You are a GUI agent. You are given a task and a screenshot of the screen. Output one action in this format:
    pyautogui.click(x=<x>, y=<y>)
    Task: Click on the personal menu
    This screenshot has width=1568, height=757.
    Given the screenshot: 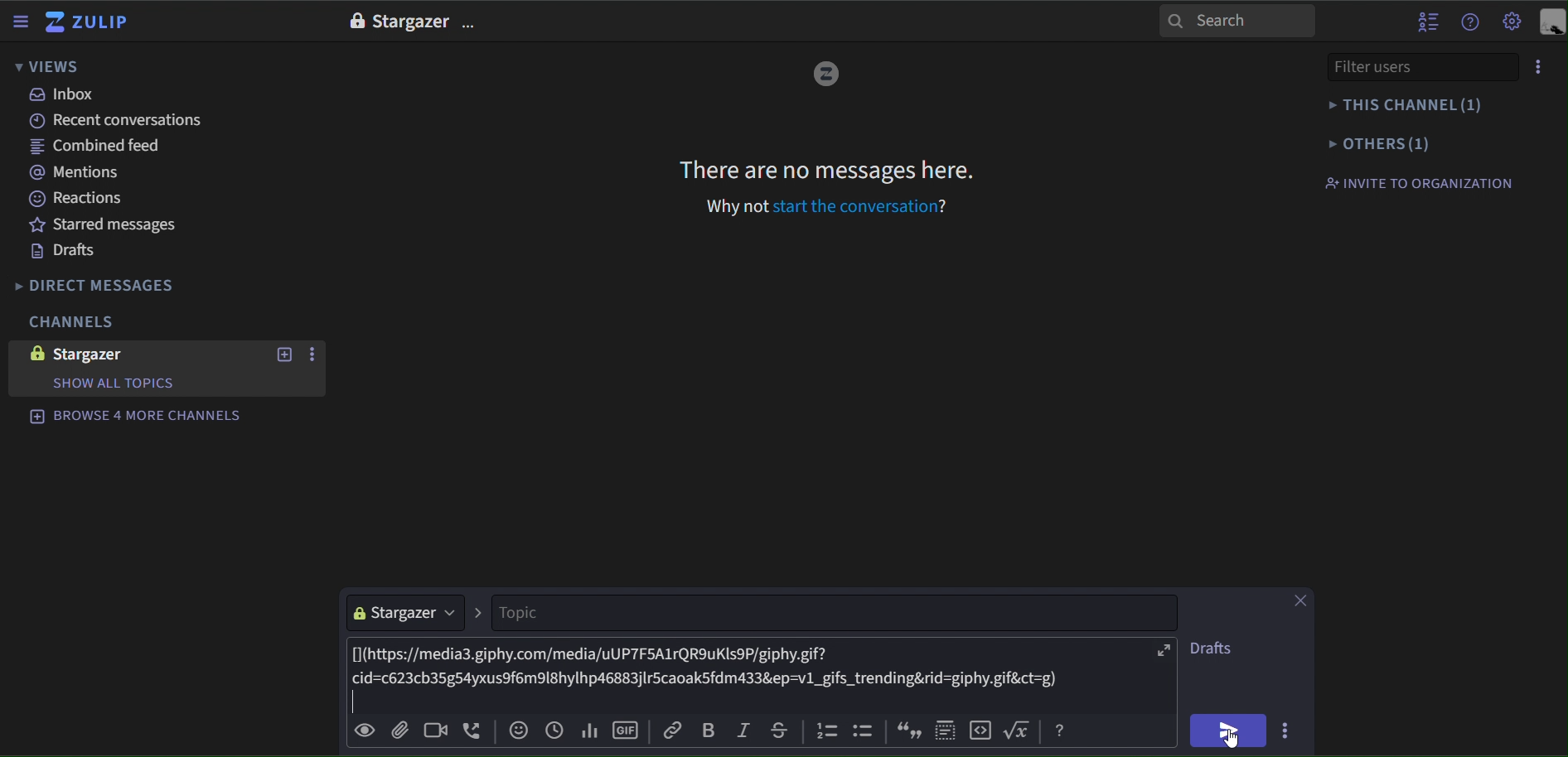 What is the action you would take?
    pyautogui.click(x=1551, y=23)
    